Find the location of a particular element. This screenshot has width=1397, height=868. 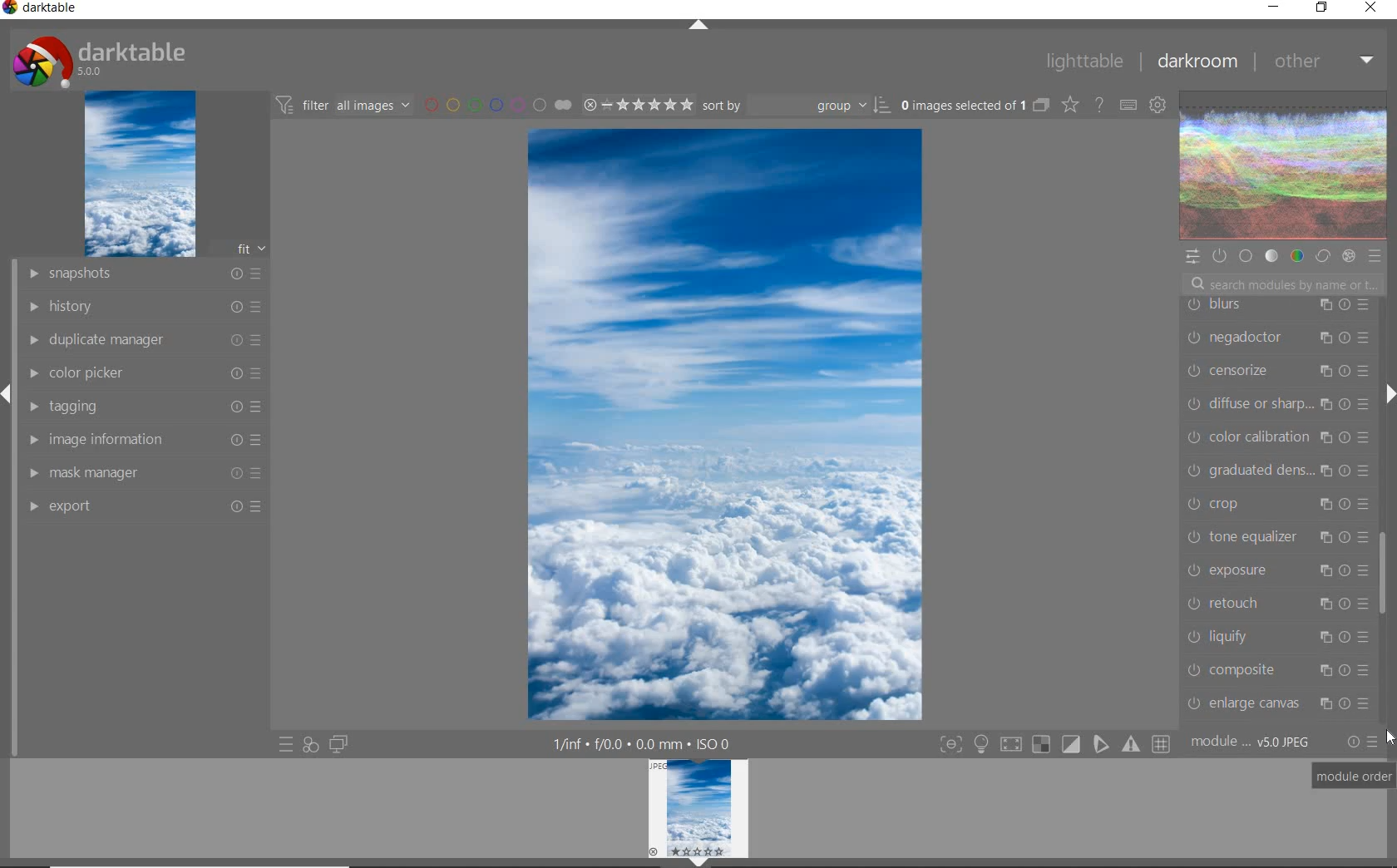

HISTORY is located at coordinates (143, 305).